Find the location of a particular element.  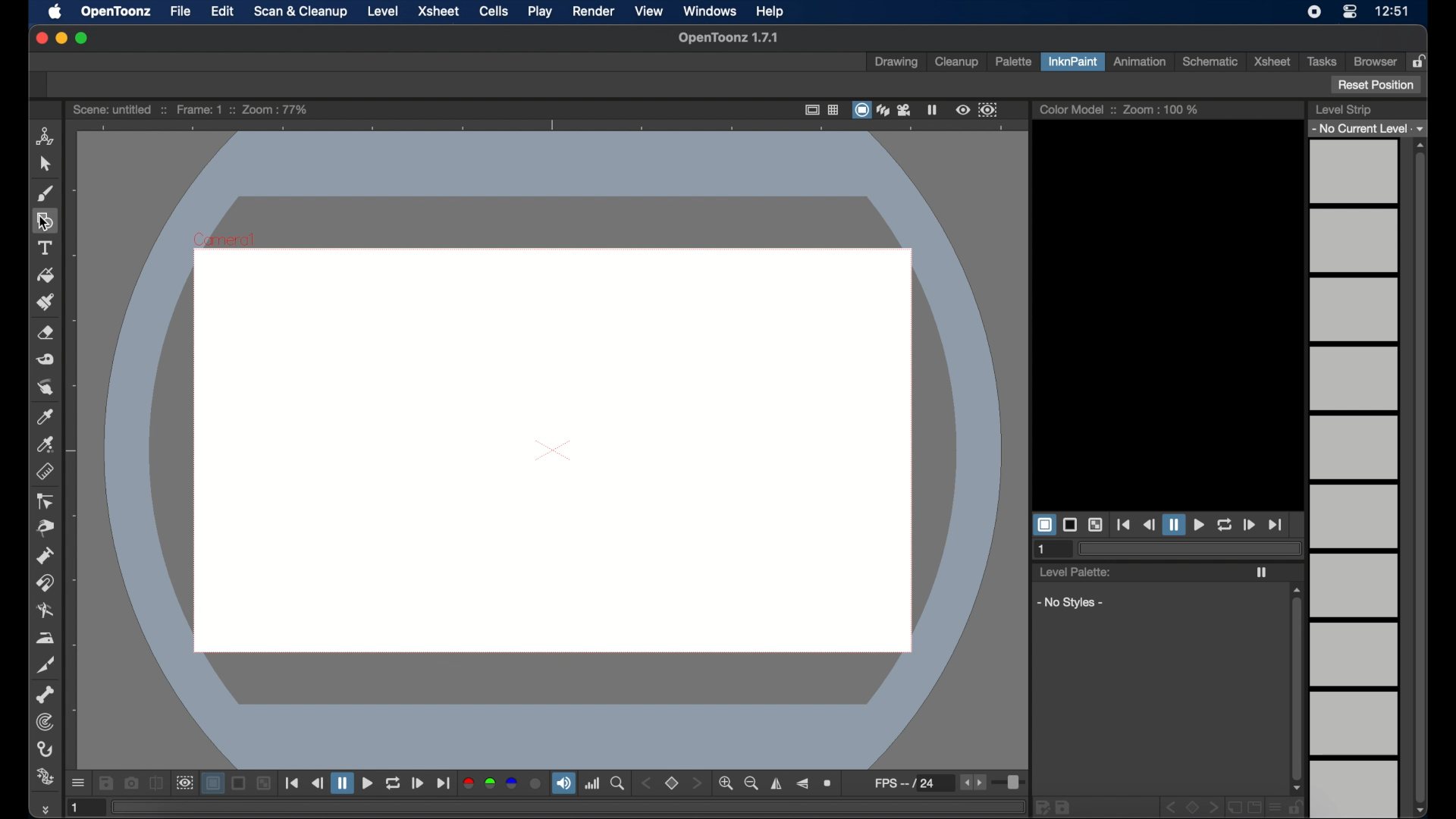

scene: untitled is located at coordinates (119, 109).